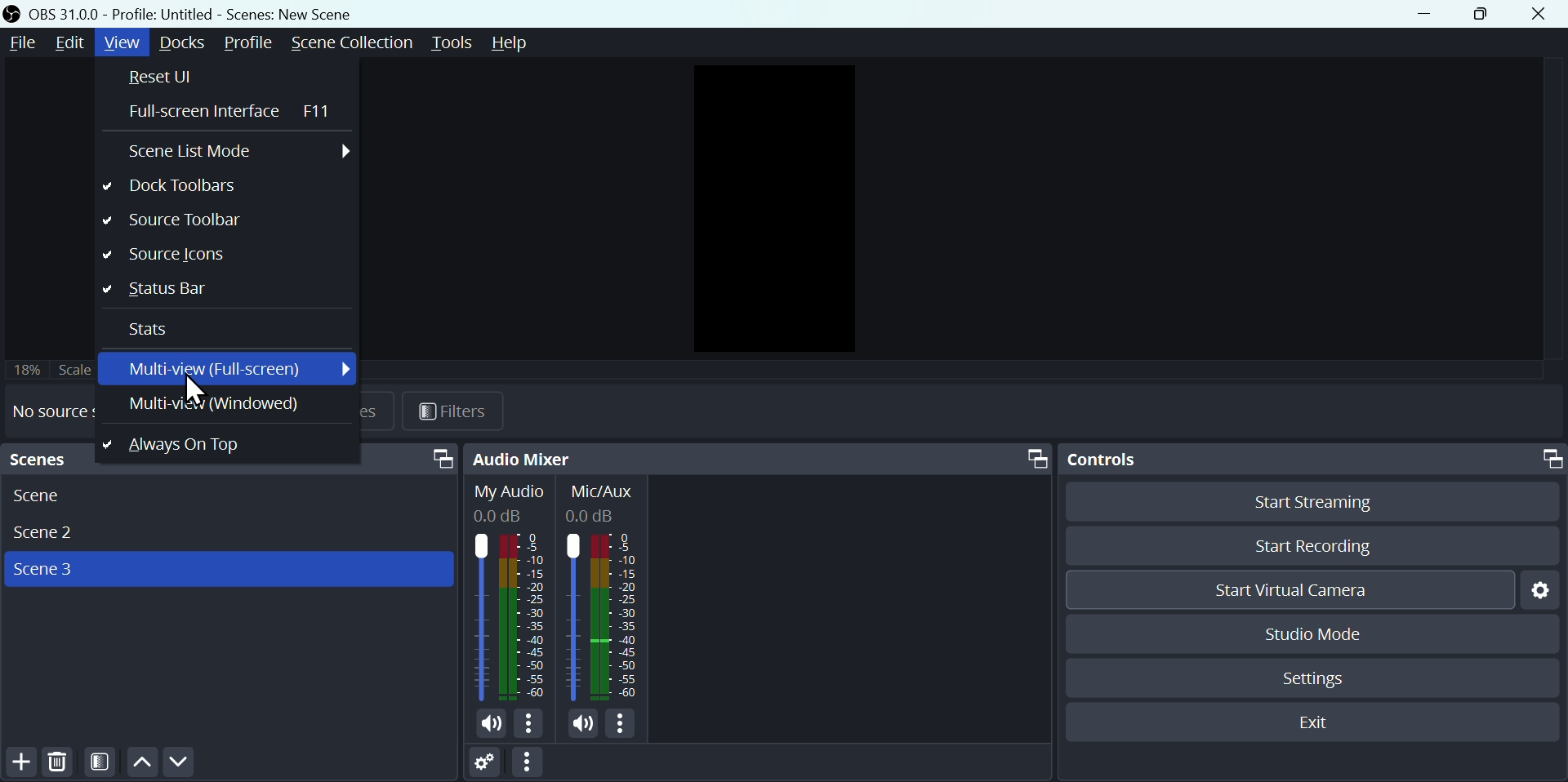  What do you see at coordinates (71, 42) in the screenshot?
I see `Edit` at bounding box center [71, 42].